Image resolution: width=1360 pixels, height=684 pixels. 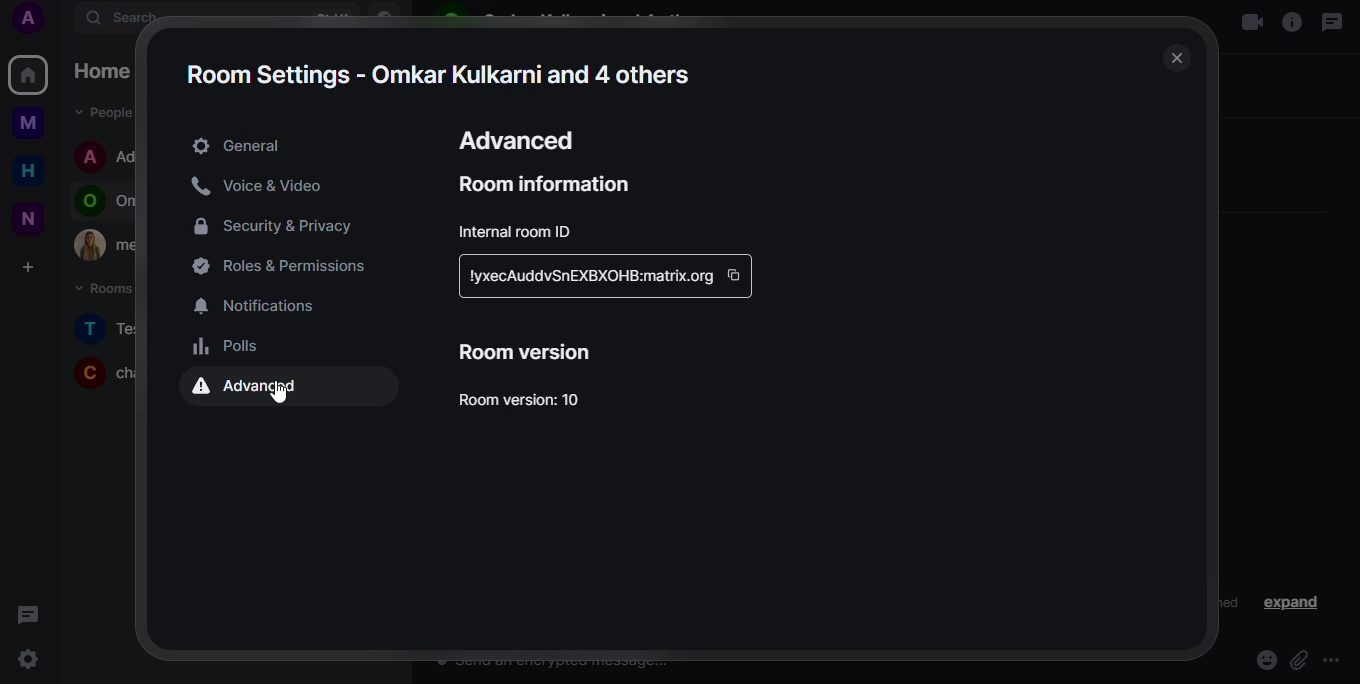 What do you see at coordinates (35, 172) in the screenshot?
I see `h` at bounding box center [35, 172].